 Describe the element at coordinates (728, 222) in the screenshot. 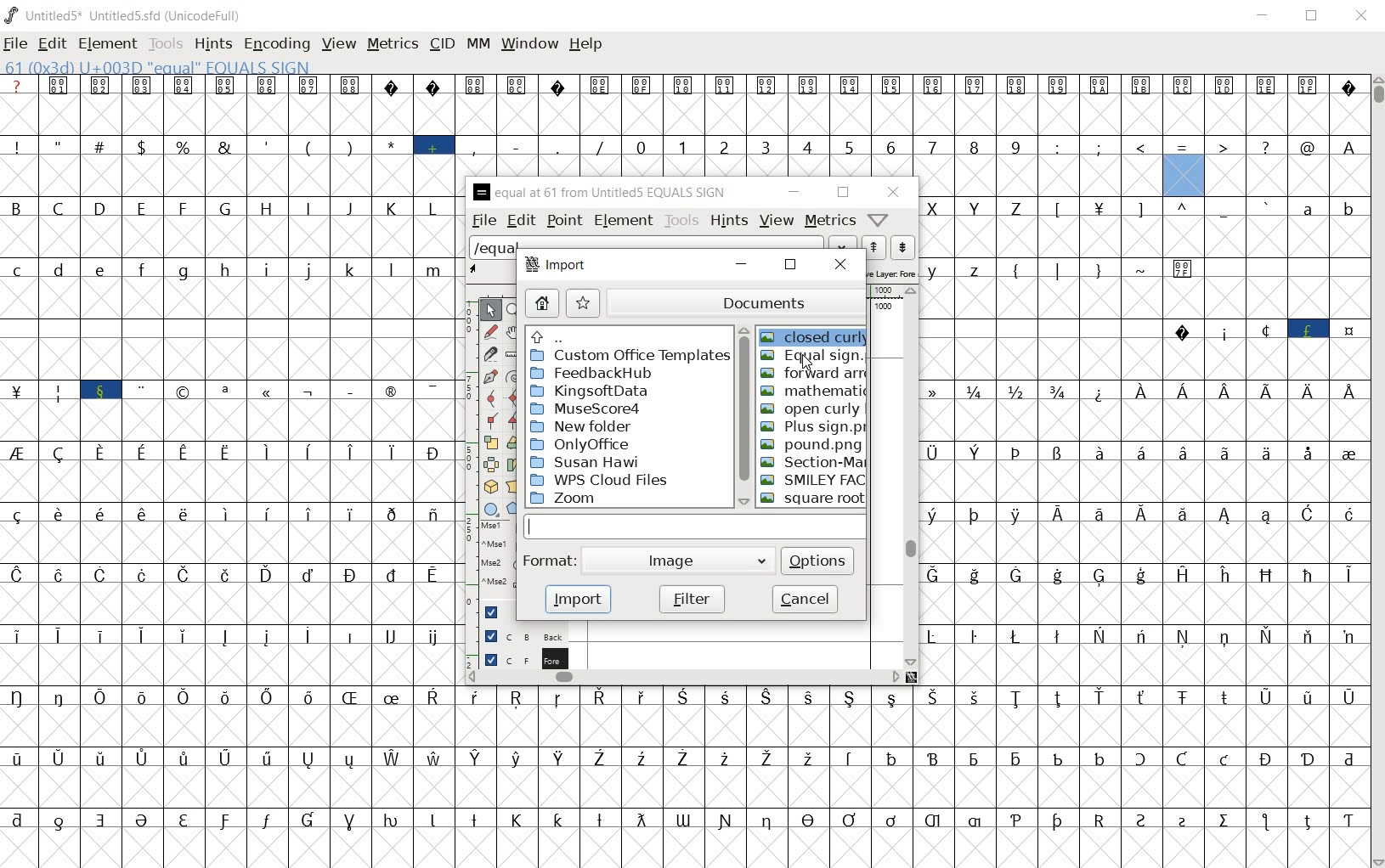

I see `hints` at that location.